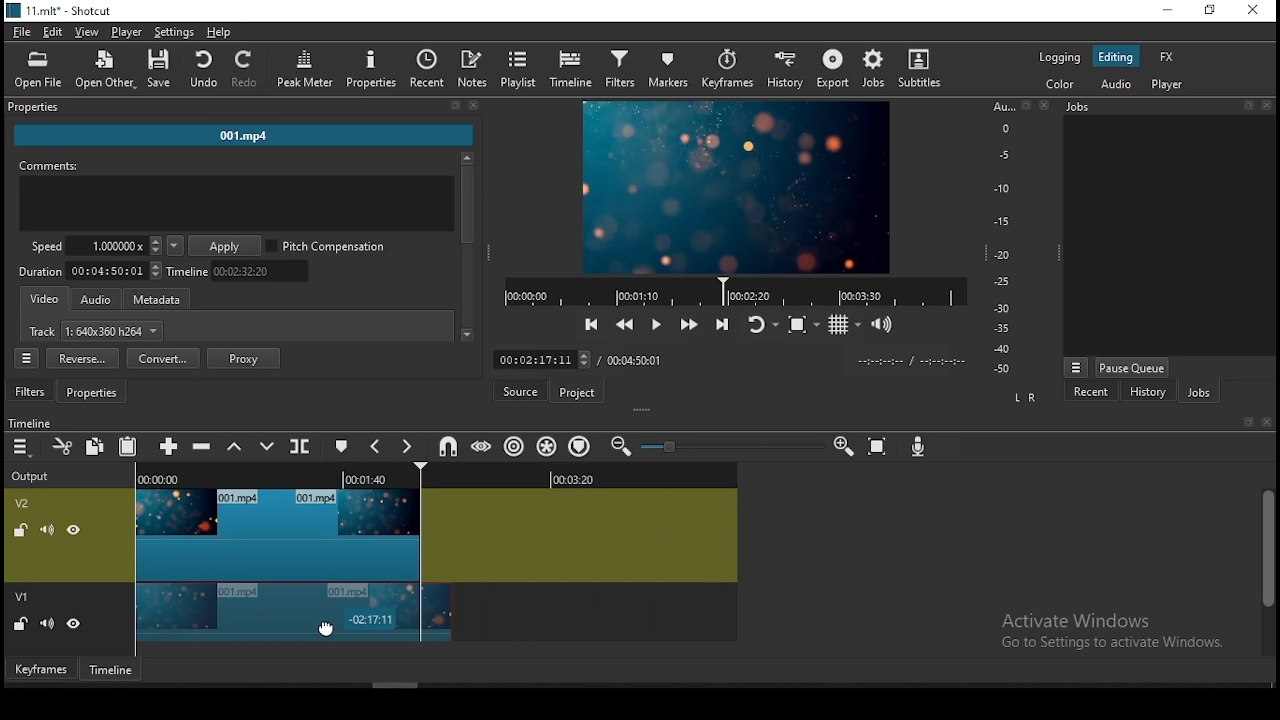 The height and width of the screenshot is (720, 1280). I want to click on audio scale, so click(1017, 239).